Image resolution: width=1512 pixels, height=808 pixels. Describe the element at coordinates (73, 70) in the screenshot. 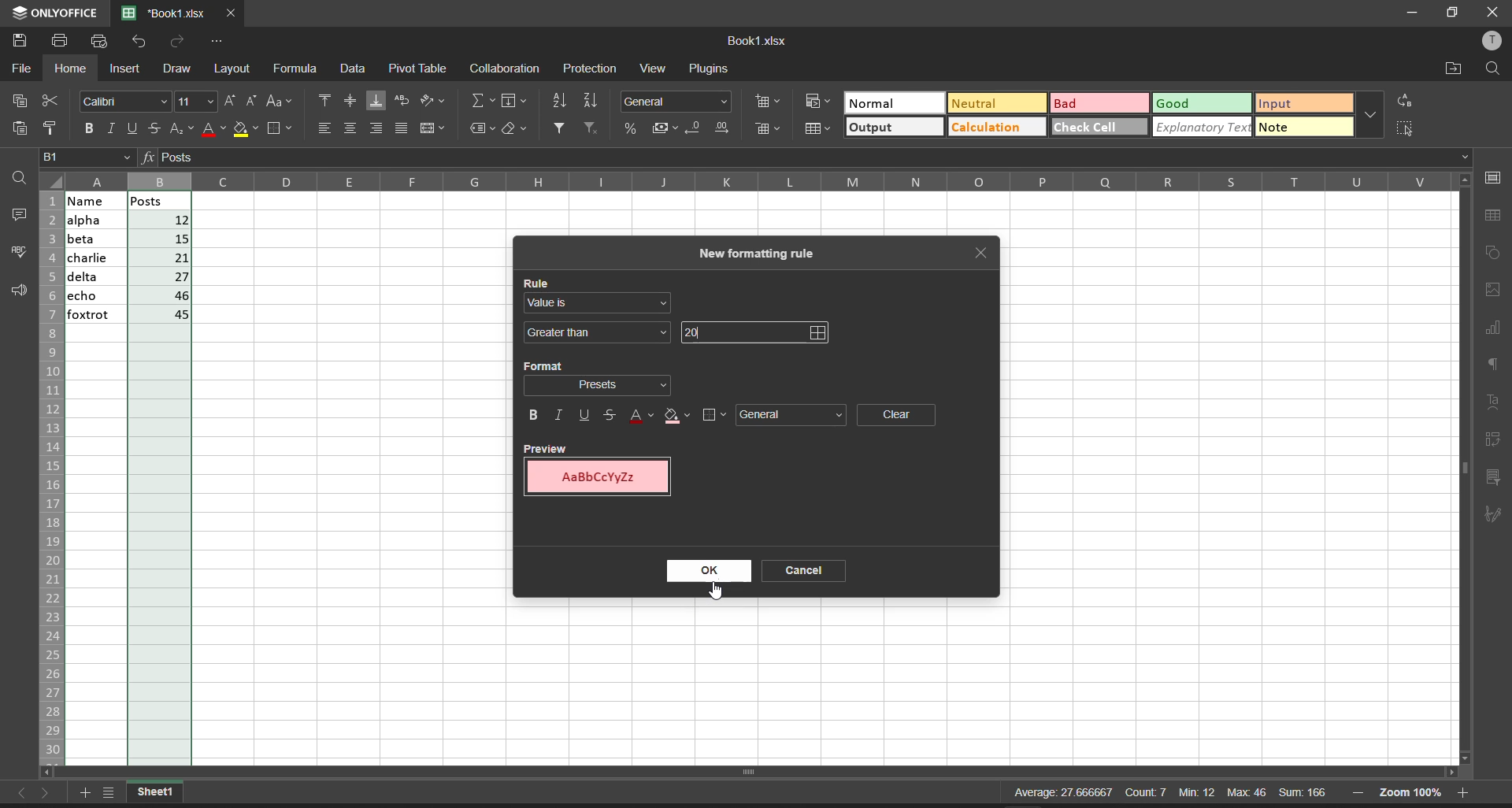

I see `home` at that location.